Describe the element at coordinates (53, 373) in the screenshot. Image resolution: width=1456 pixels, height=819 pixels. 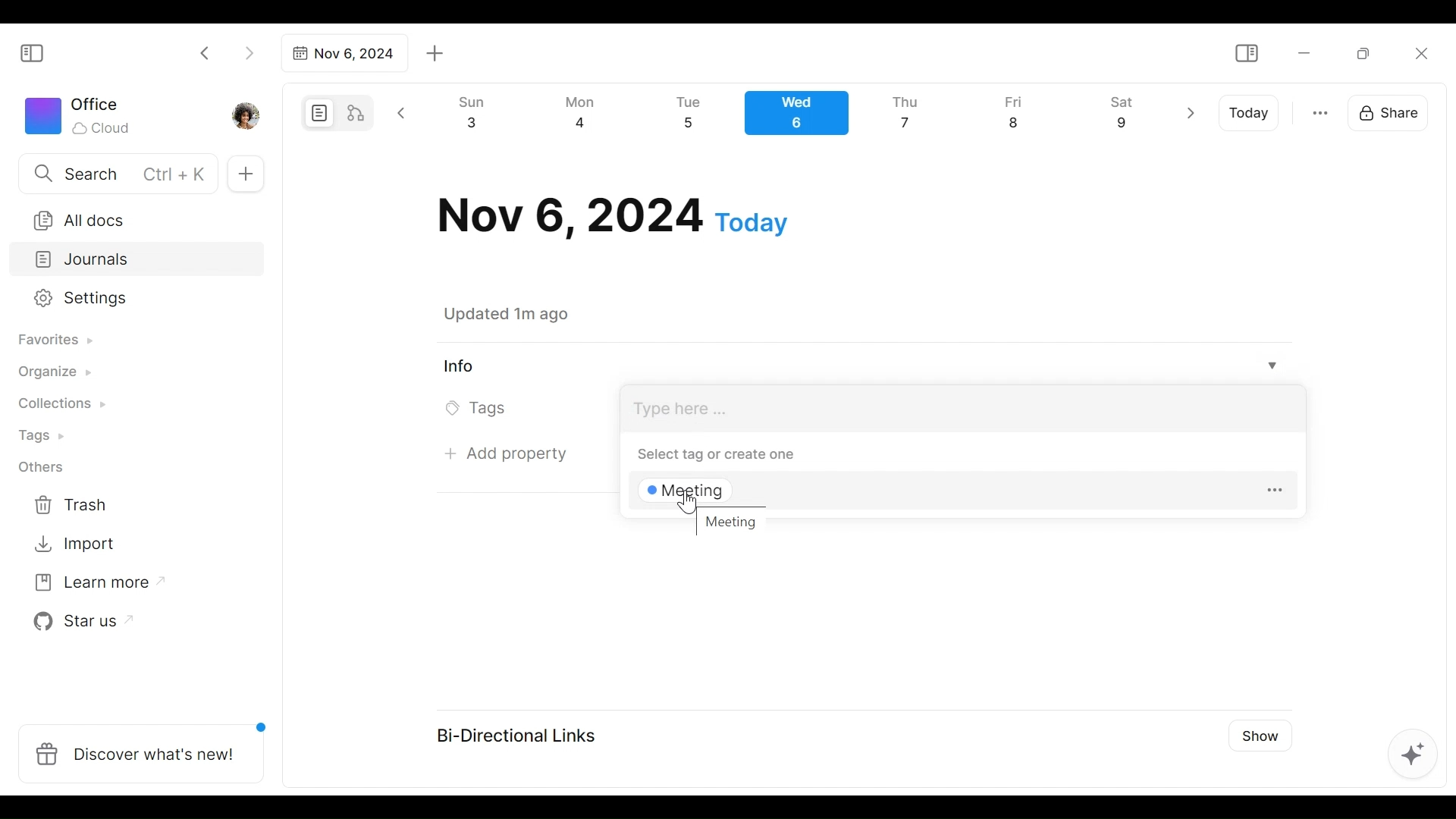
I see `Organize` at that location.